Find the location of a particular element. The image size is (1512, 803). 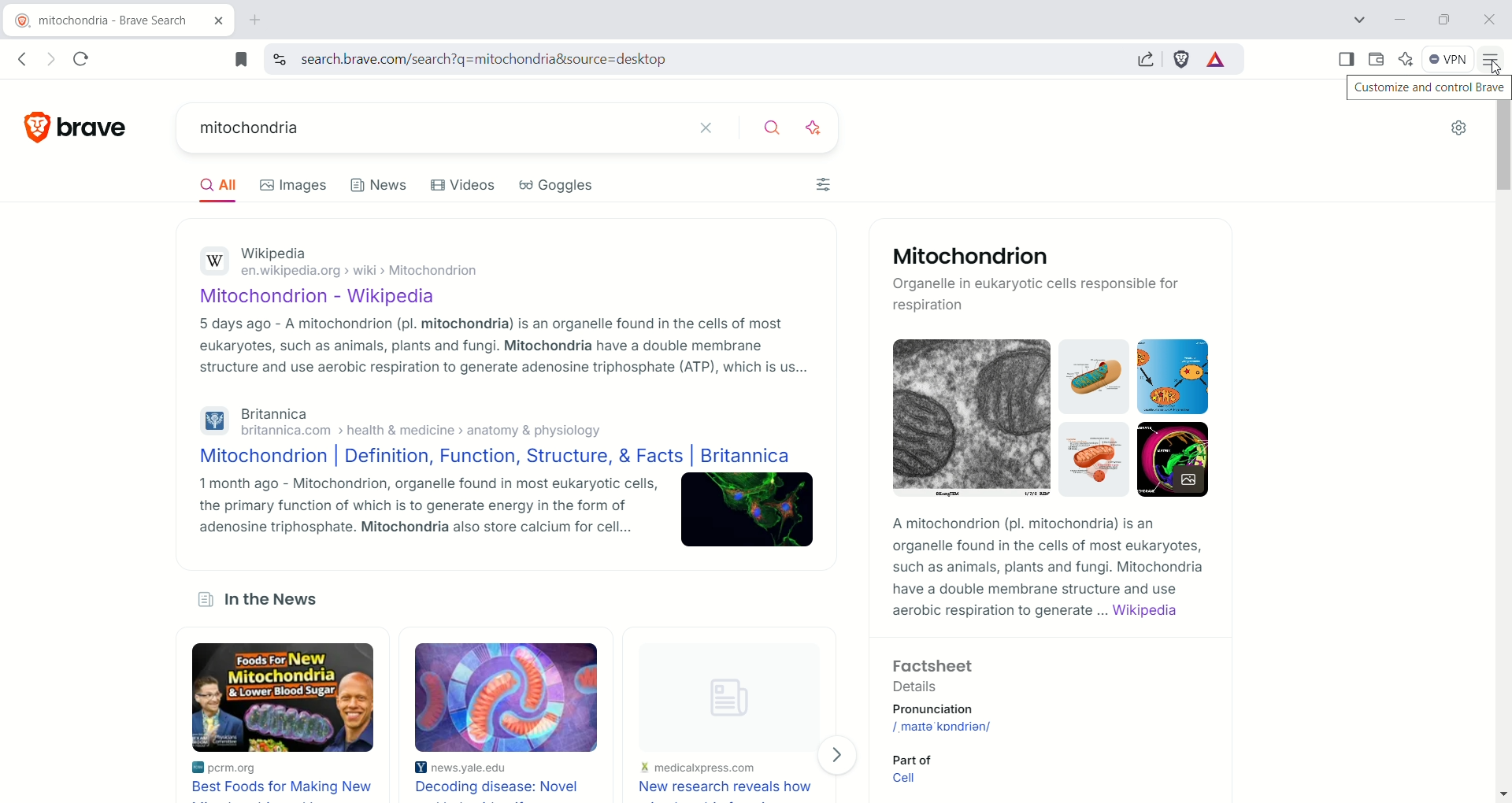

In the News is located at coordinates (260, 599).